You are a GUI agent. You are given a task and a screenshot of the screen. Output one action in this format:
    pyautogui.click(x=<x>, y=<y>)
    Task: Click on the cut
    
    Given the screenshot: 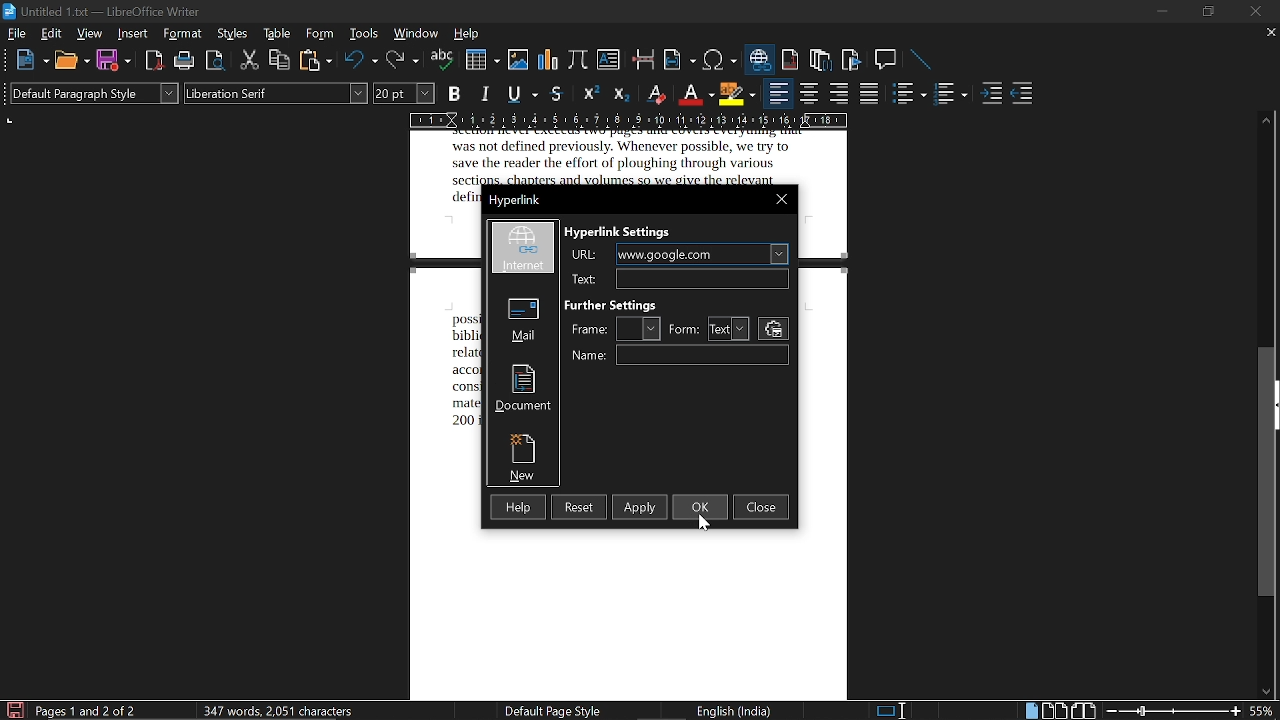 What is the action you would take?
    pyautogui.click(x=250, y=60)
    